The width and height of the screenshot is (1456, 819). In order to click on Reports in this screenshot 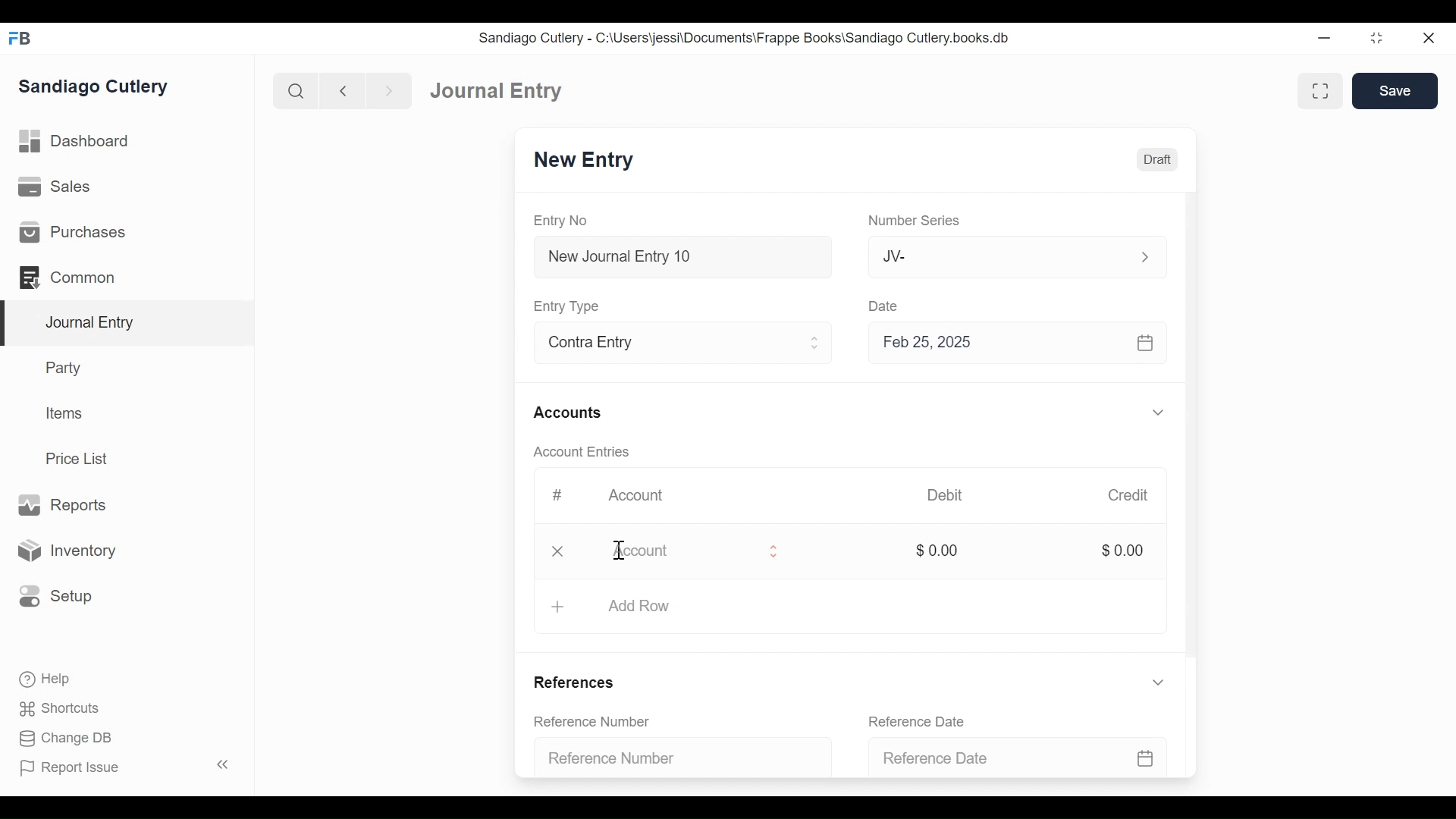, I will do `click(61, 504)`.